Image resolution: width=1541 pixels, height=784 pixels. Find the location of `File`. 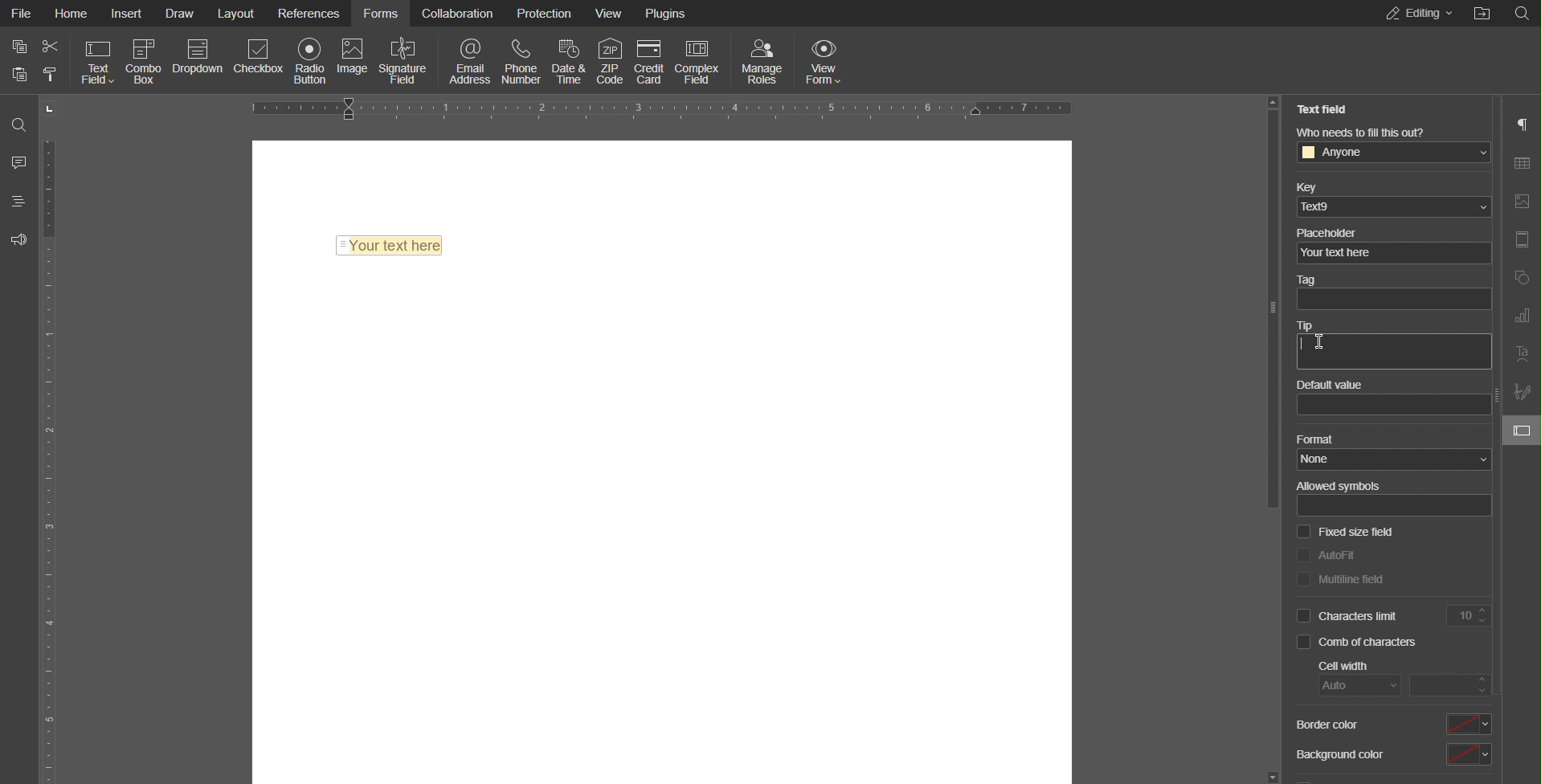

File is located at coordinates (22, 13).